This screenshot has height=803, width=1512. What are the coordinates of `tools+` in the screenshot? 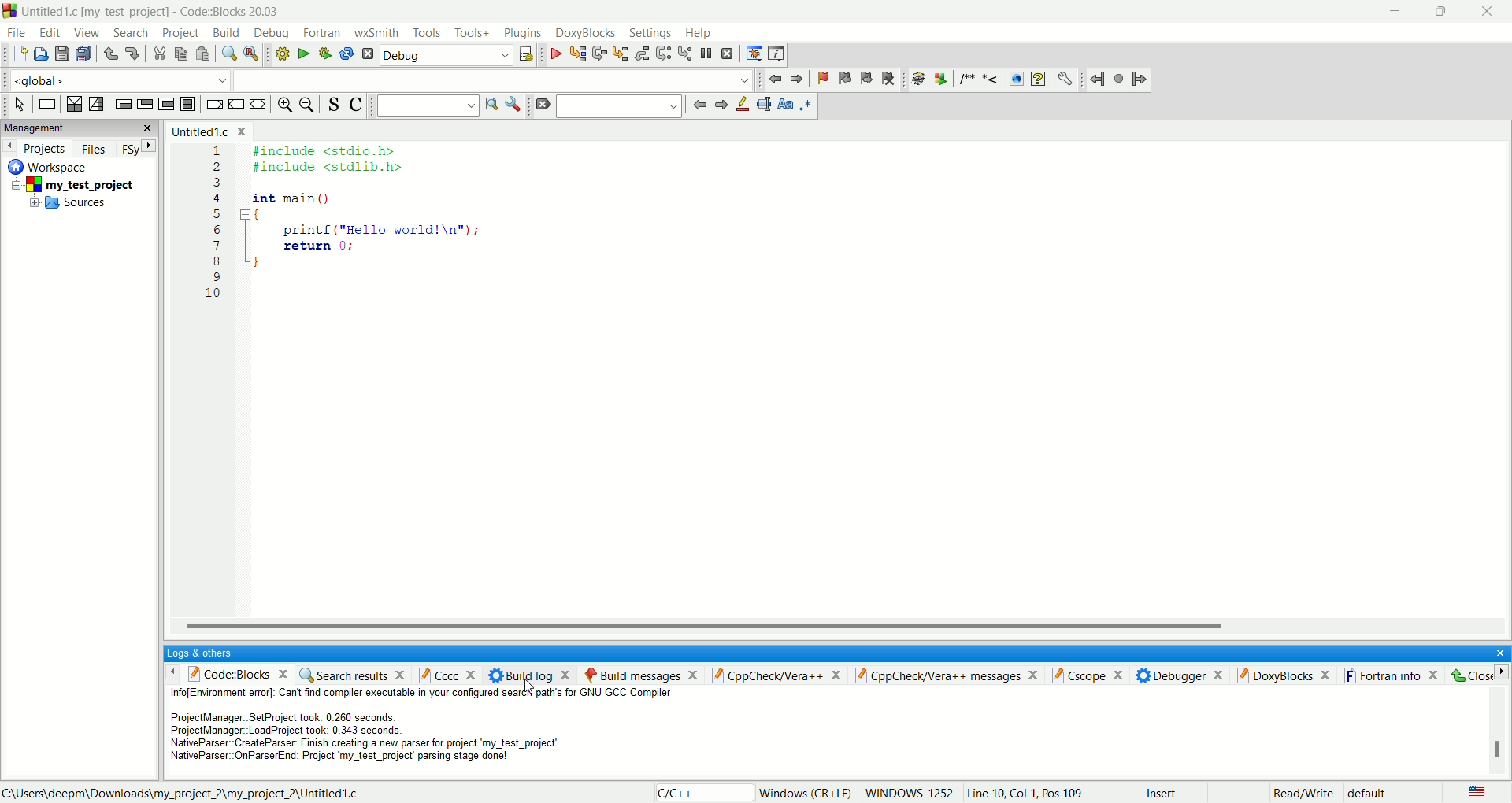 It's located at (470, 32).